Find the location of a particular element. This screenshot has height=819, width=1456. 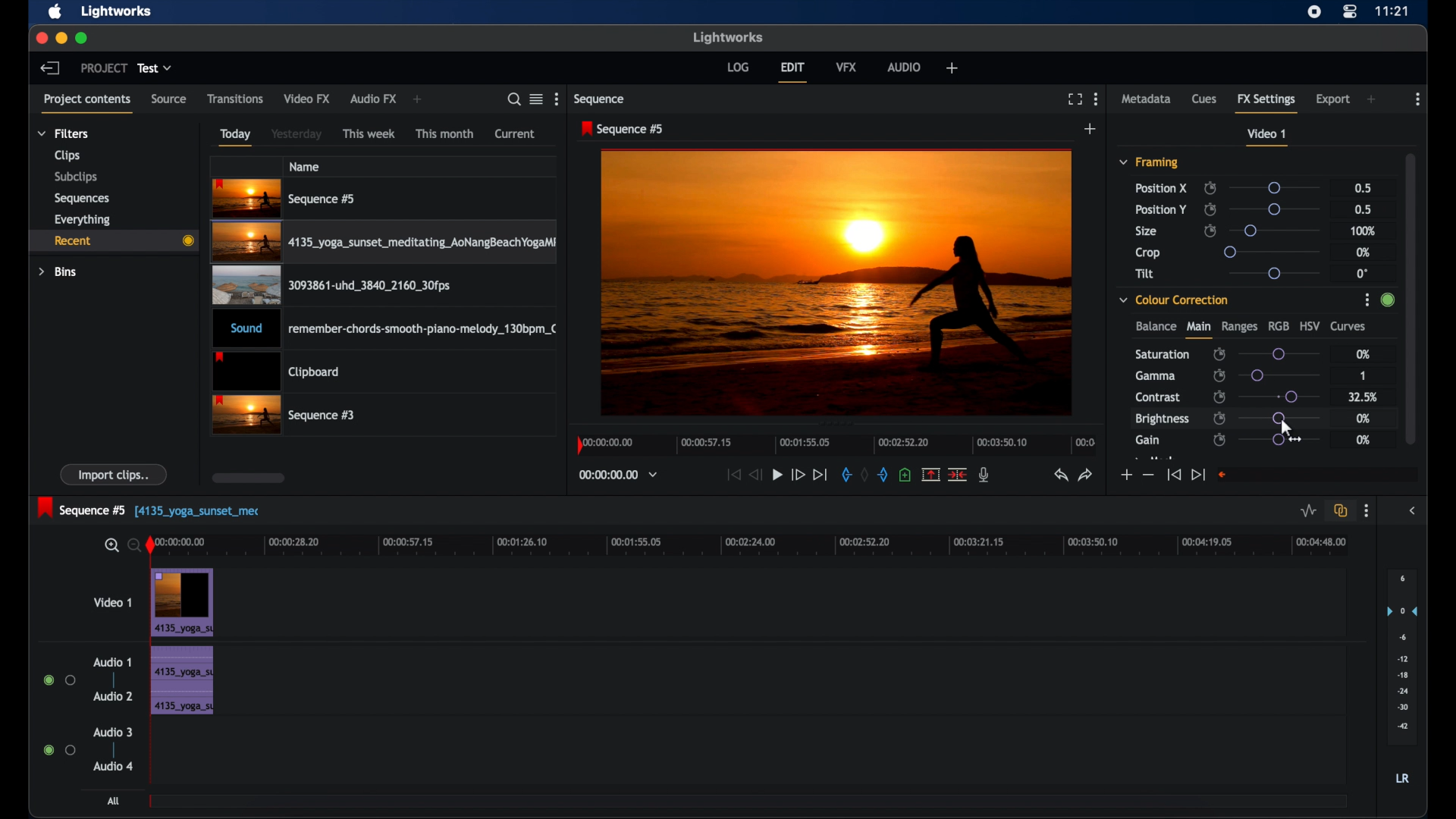

0.5 is located at coordinates (1363, 187).